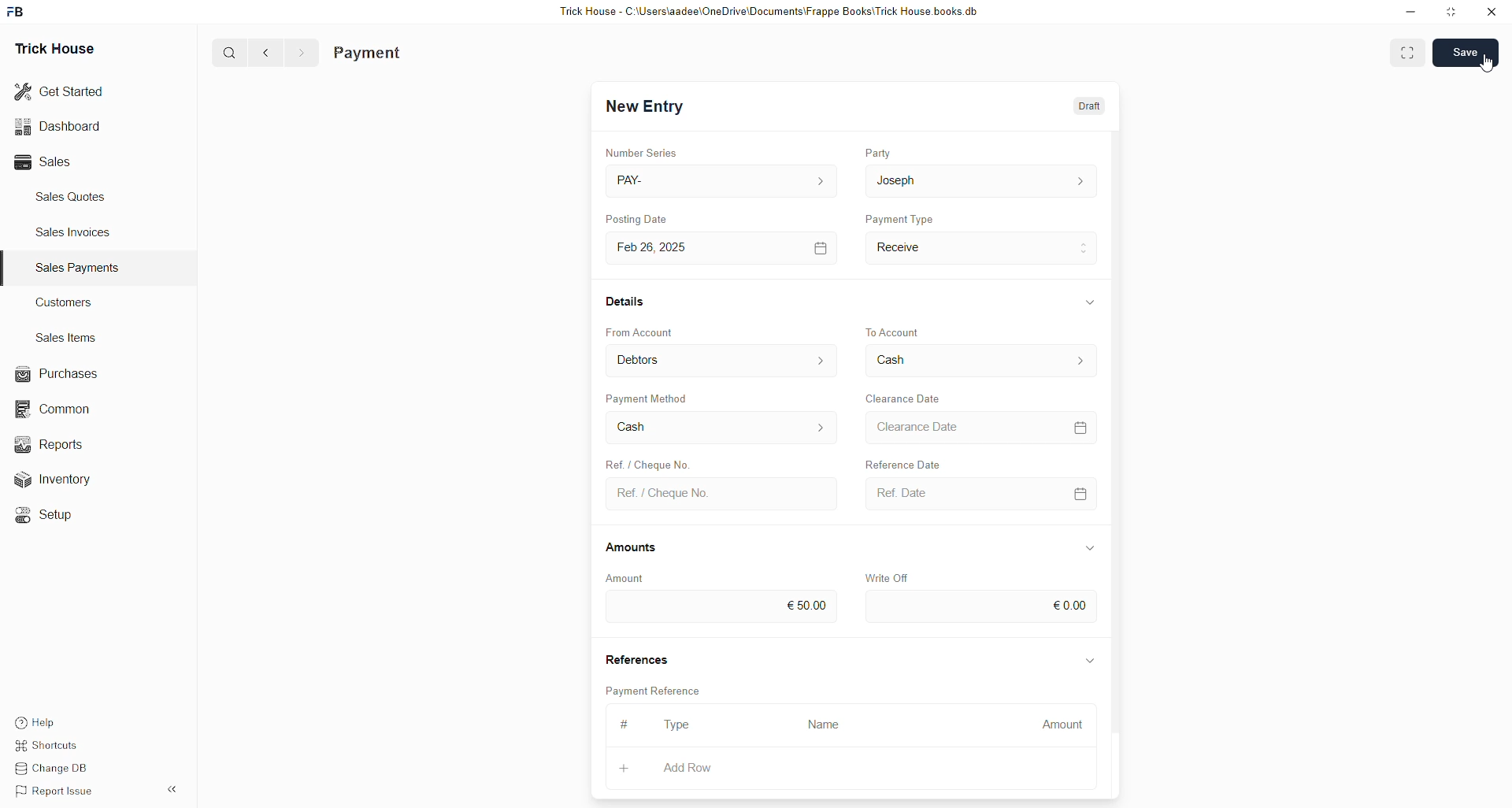 Image resolution: width=1512 pixels, height=808 pixels. I want to click on References, so click(636, 657).